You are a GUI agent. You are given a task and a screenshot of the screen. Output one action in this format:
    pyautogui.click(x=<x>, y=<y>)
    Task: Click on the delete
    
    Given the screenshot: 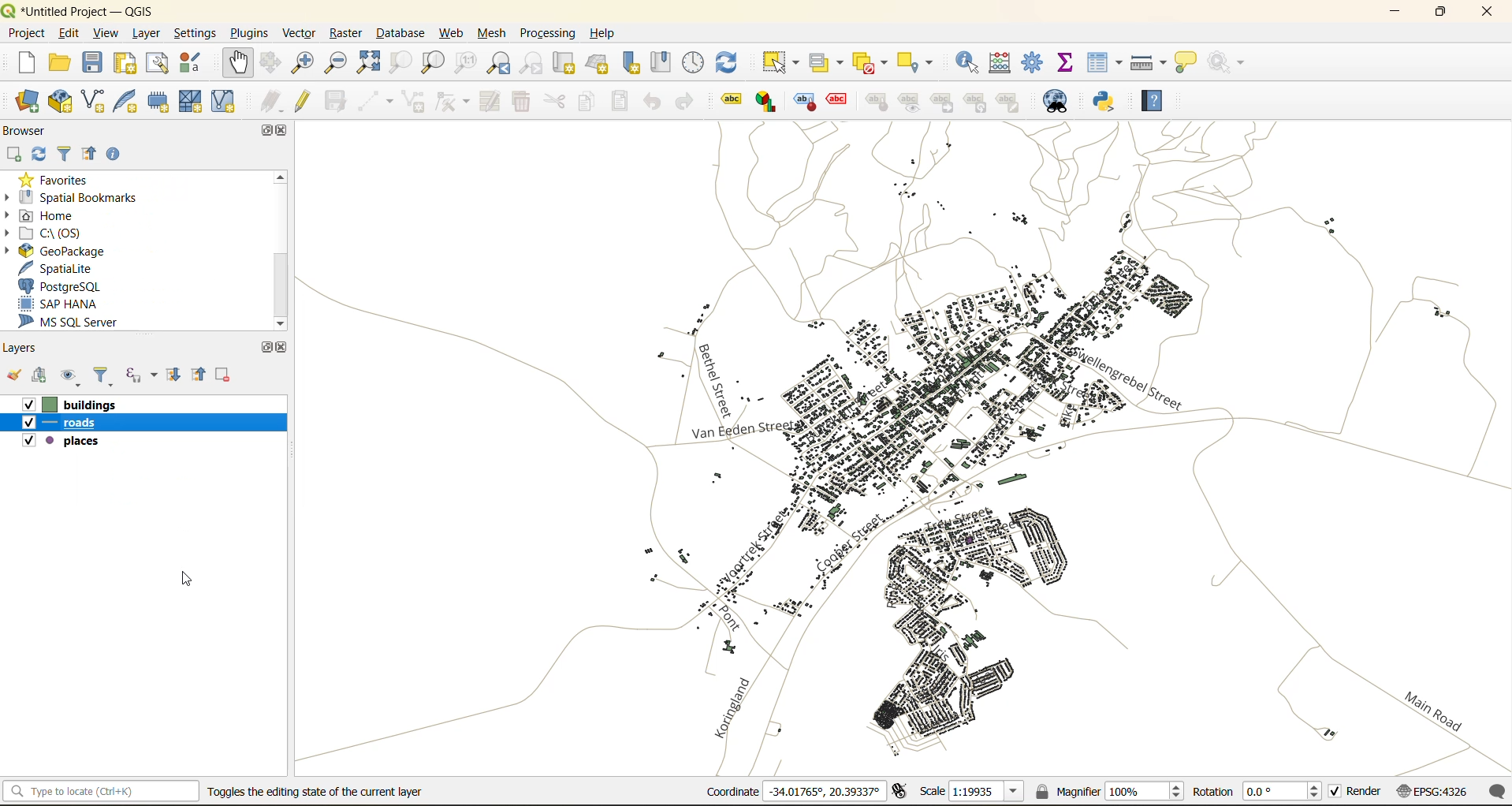 What is the action you would take?
    pyautogui.click(x=519, y=100)
    